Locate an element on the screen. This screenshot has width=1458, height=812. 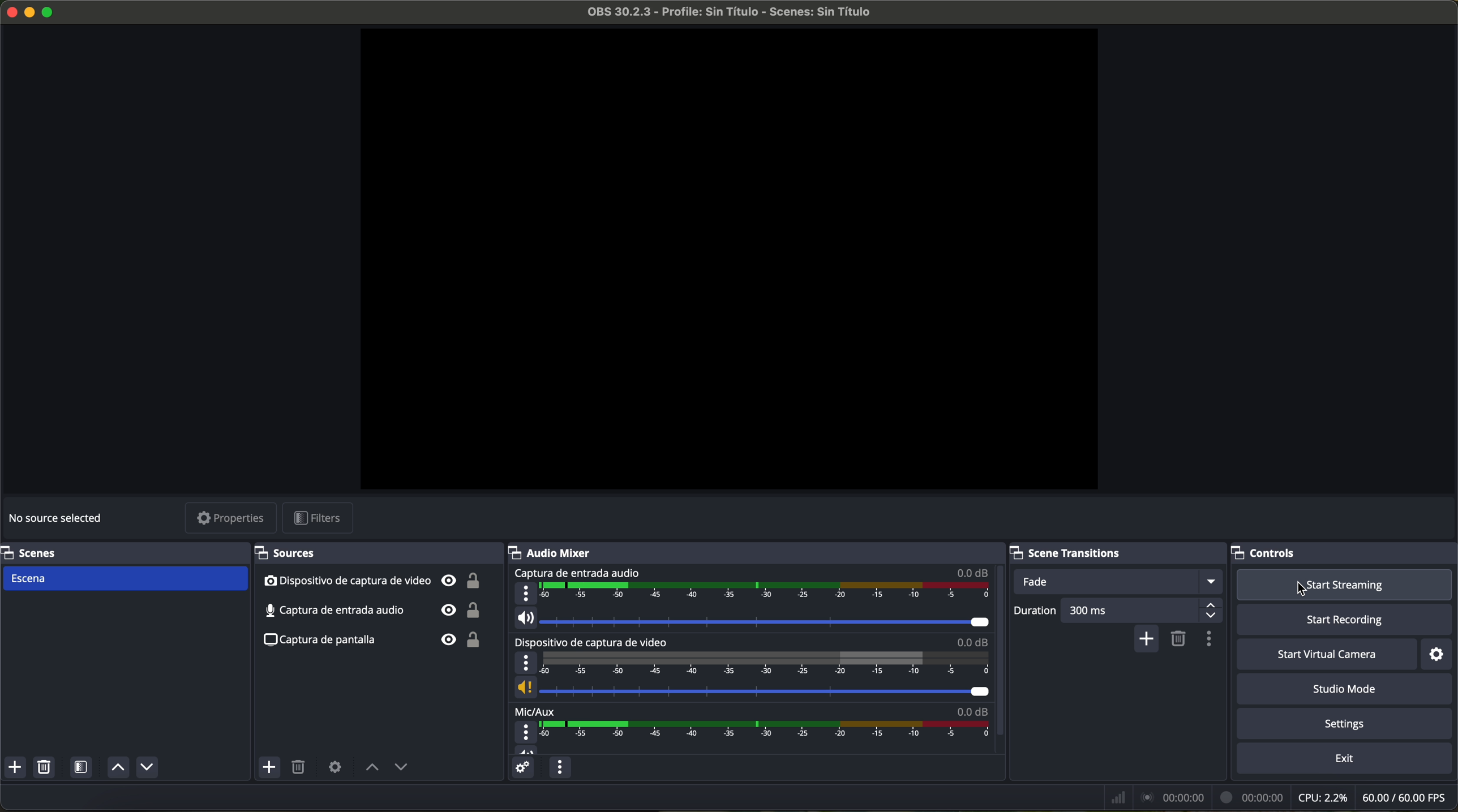
advanced audio properties is located at coordinates (522, 770).